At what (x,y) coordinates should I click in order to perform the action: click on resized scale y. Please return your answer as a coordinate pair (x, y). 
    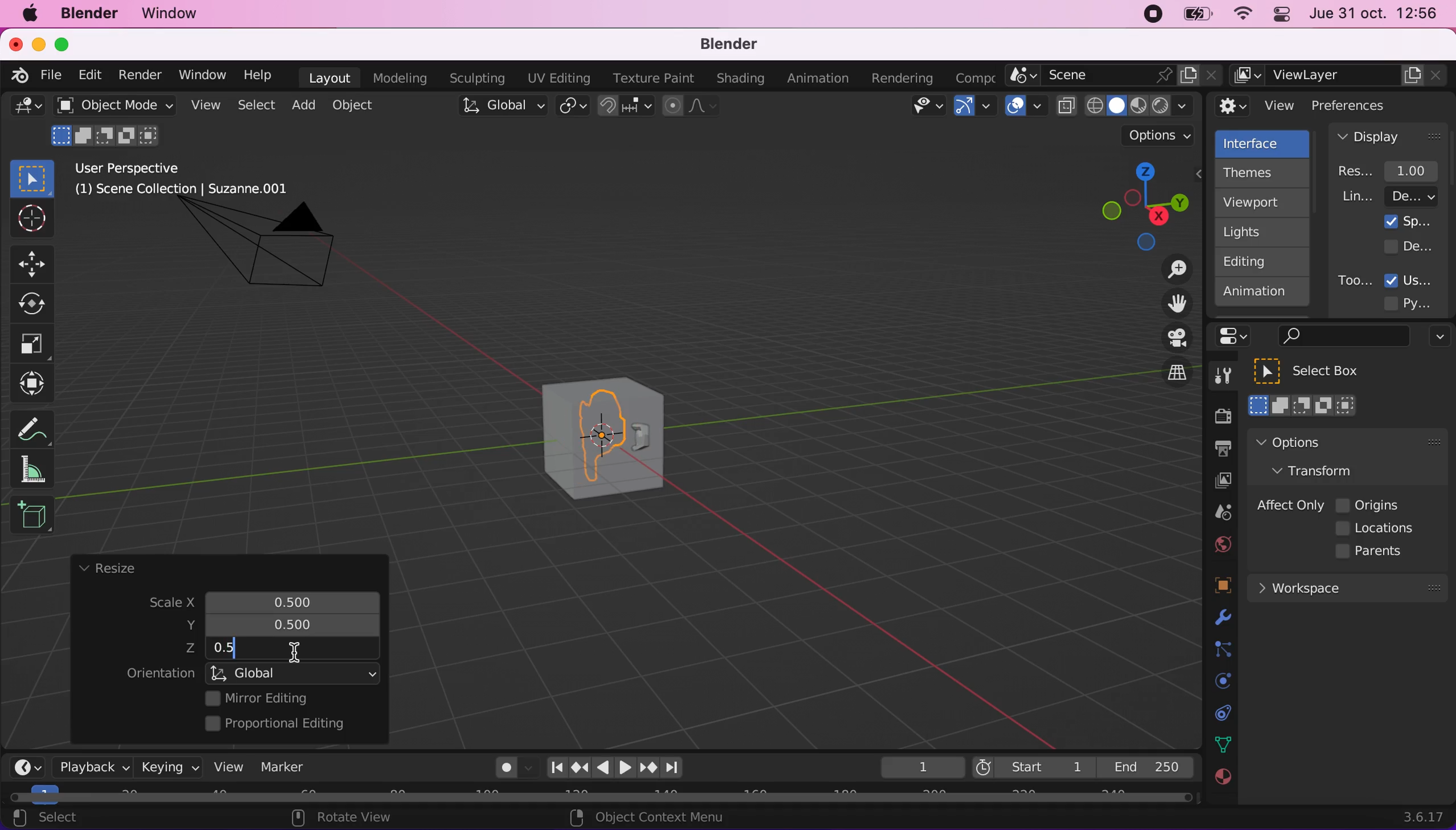
    Looking at the image, I should click on (303, 625).